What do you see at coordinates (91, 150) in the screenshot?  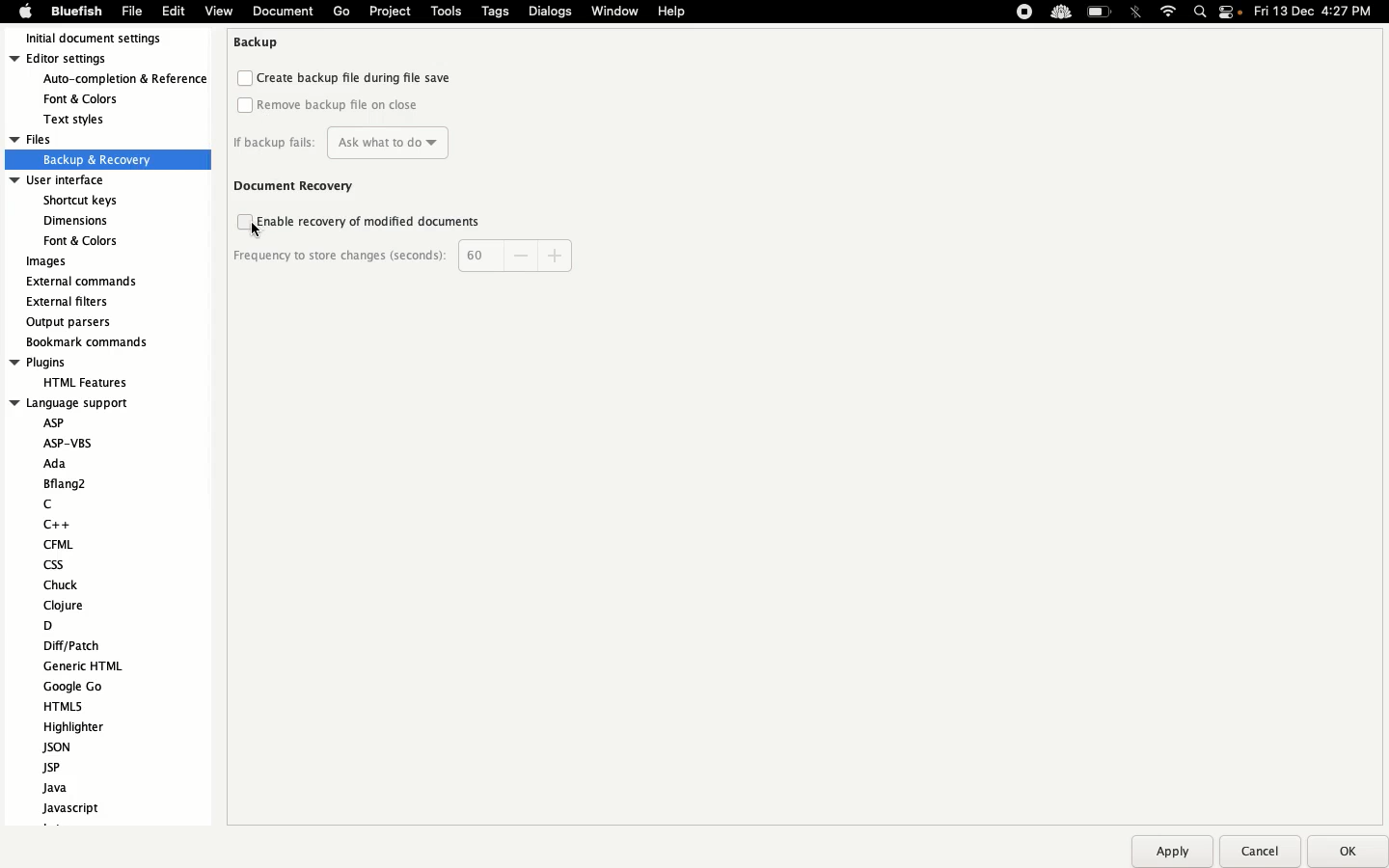 I see `Files` at bounding box center [91, 150].